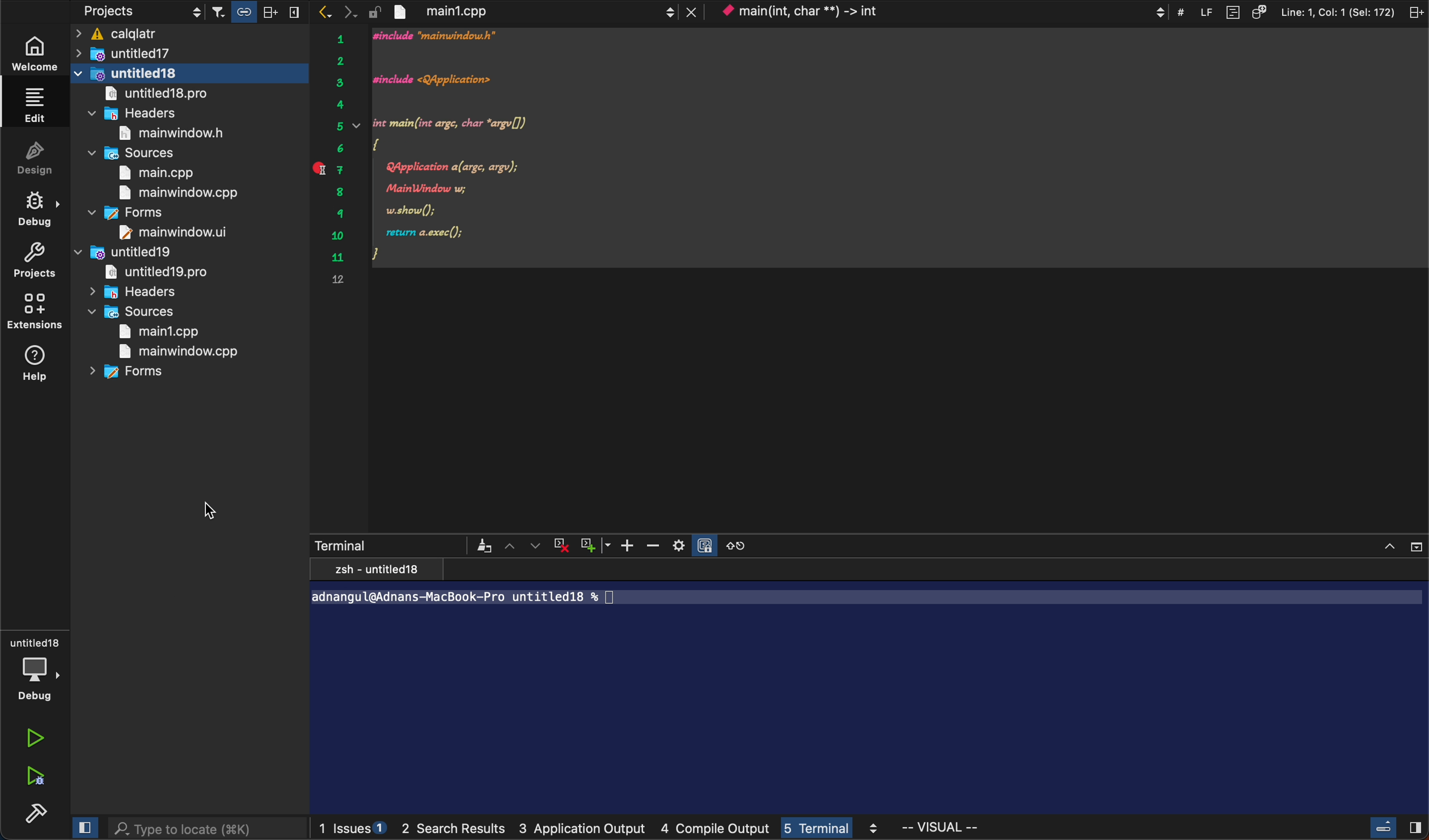 The width and height of the screenshot is (1429, 840). Describe the element at coordinates (40, 105) in the screenshot. I see `edit` at that location.